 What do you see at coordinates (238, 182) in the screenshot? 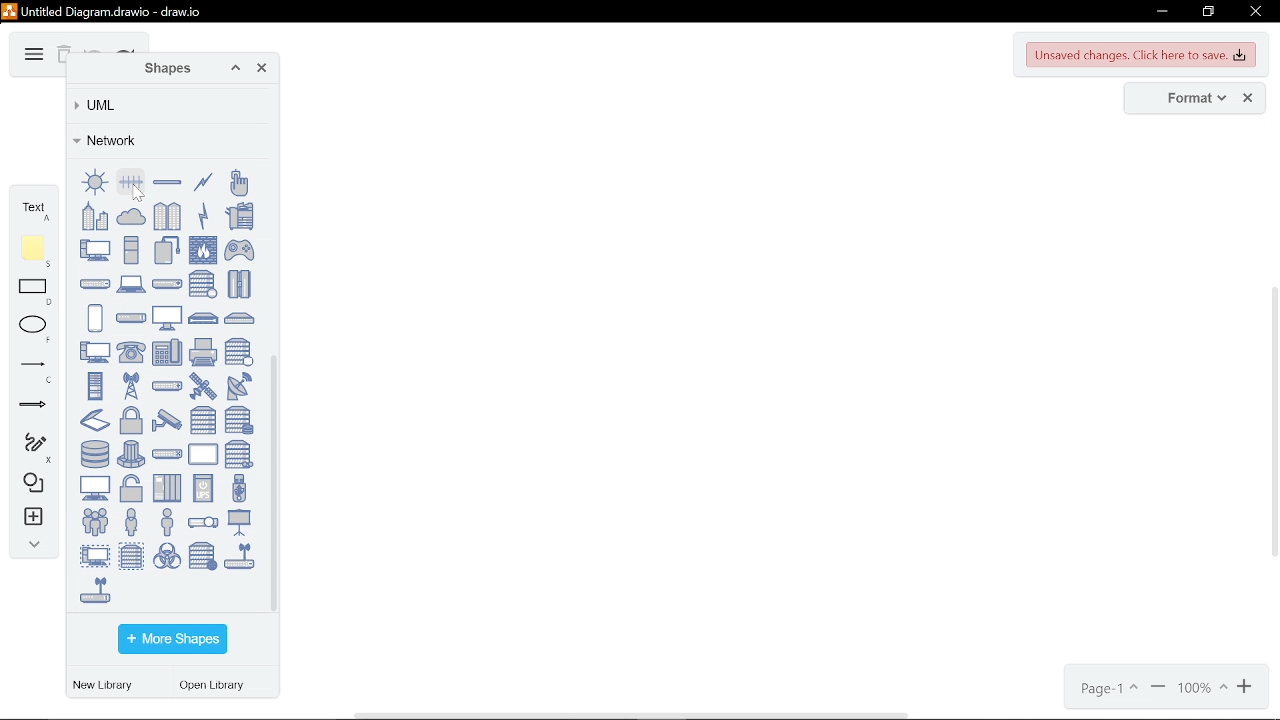
I see `biometric reader` at bounding box center [238, 182].